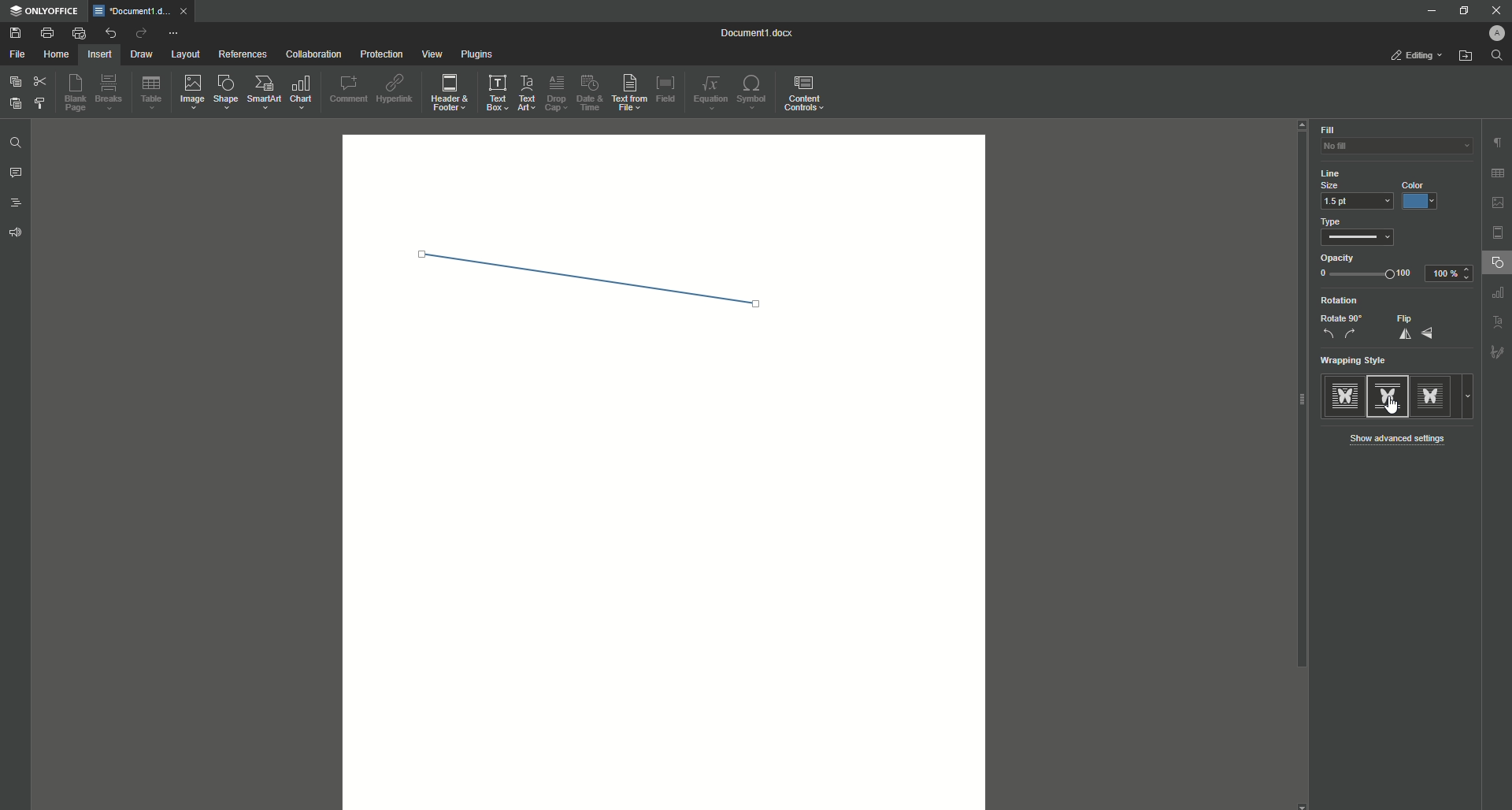 This screenshot has height=810, width=1512. I want to click on Header and Footer, so click(451, 94).